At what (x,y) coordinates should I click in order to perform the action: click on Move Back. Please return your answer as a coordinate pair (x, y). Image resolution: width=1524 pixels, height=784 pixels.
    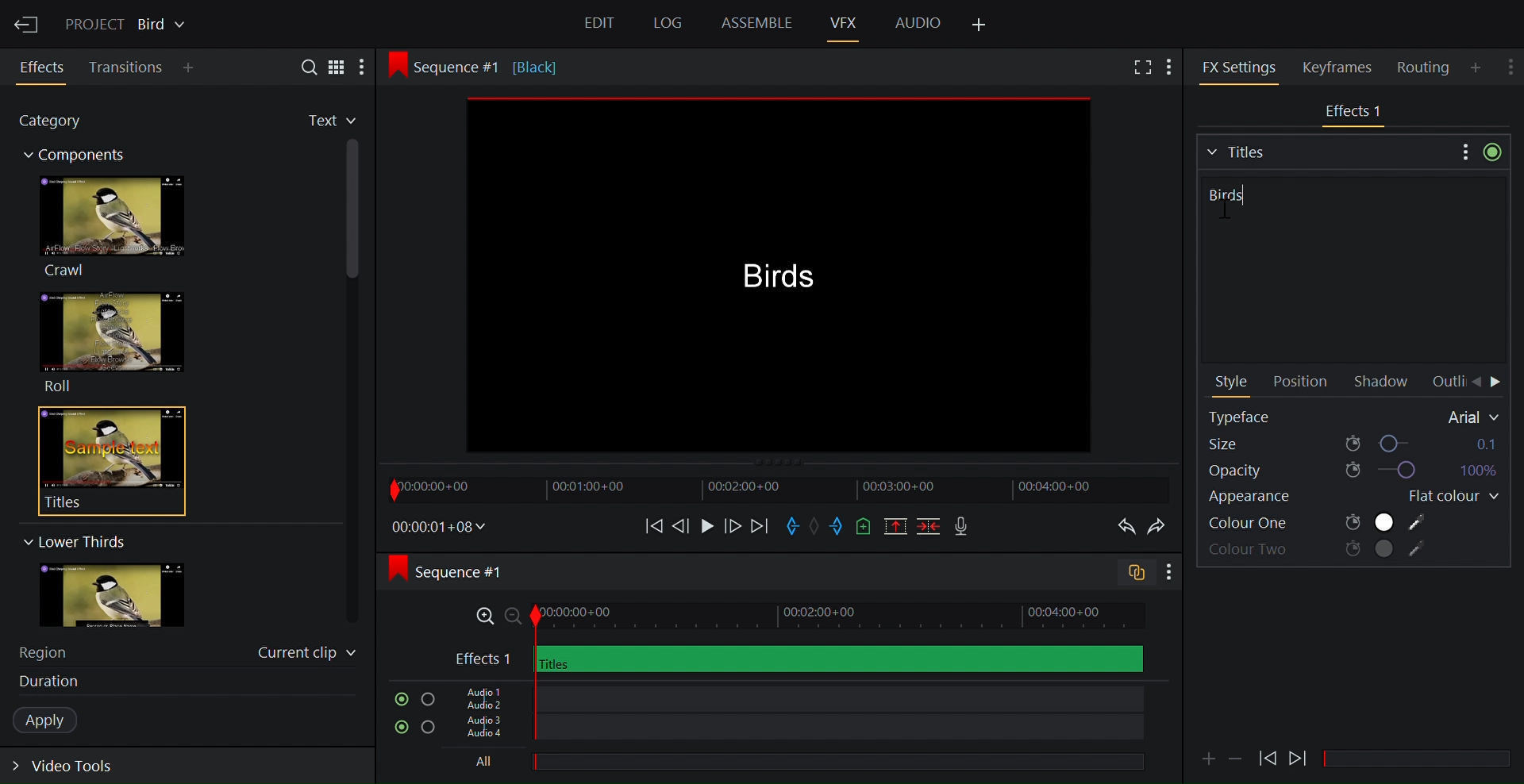
    Looking at the image, I should click on (1476, 382).